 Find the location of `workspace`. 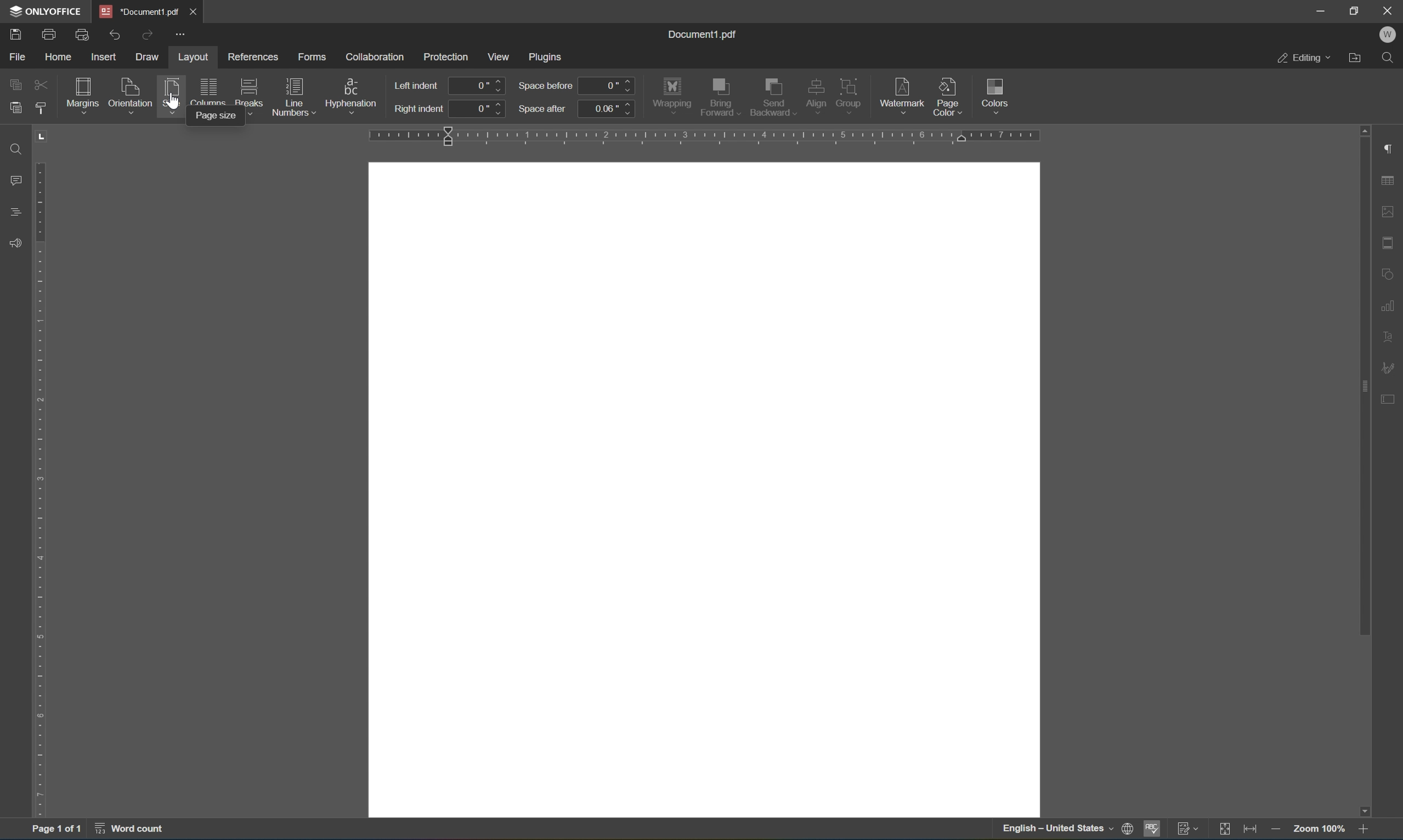

workspace is located at coordinates (703, 490).